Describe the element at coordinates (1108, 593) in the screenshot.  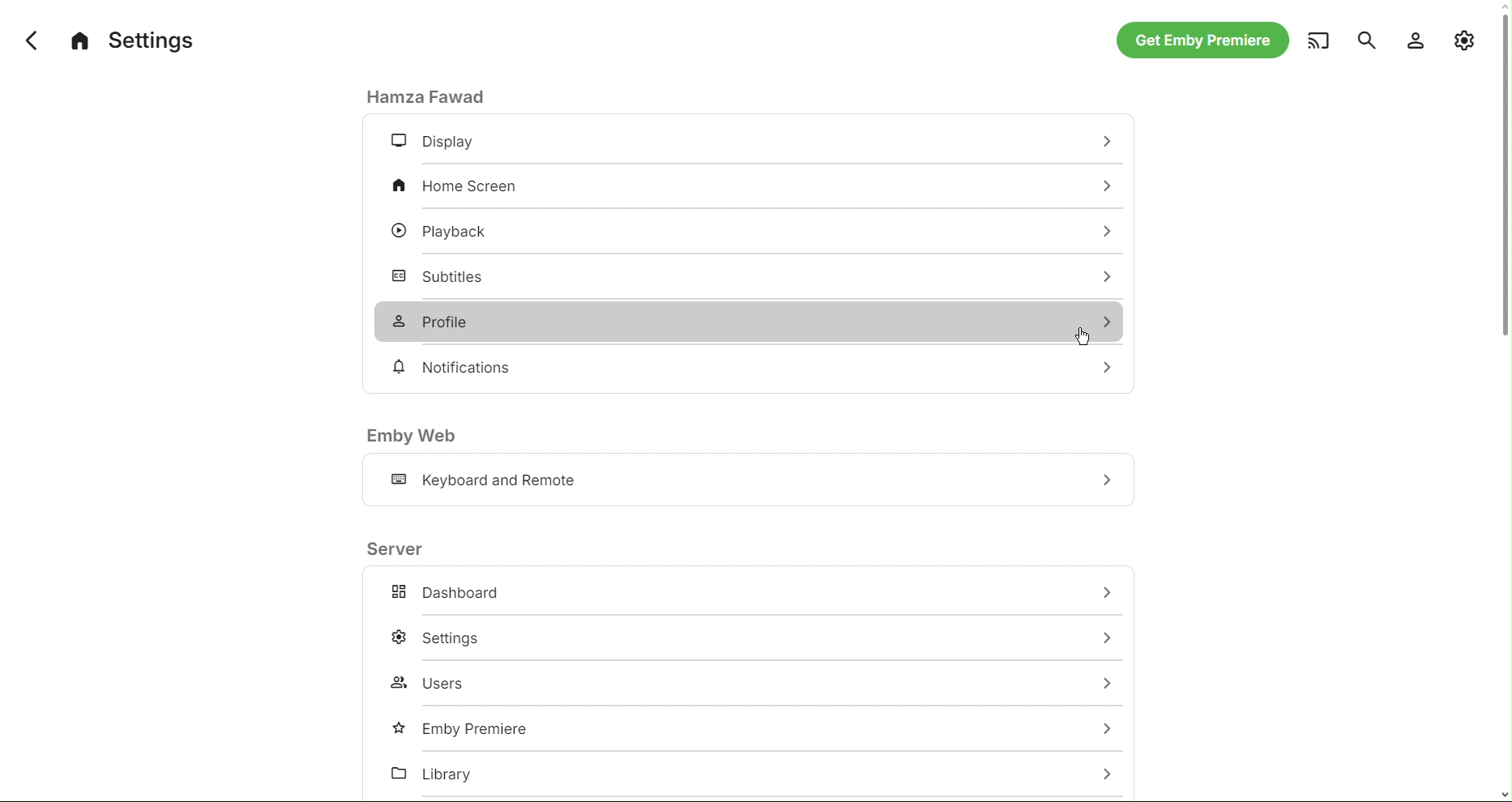
I see `go` at that location.